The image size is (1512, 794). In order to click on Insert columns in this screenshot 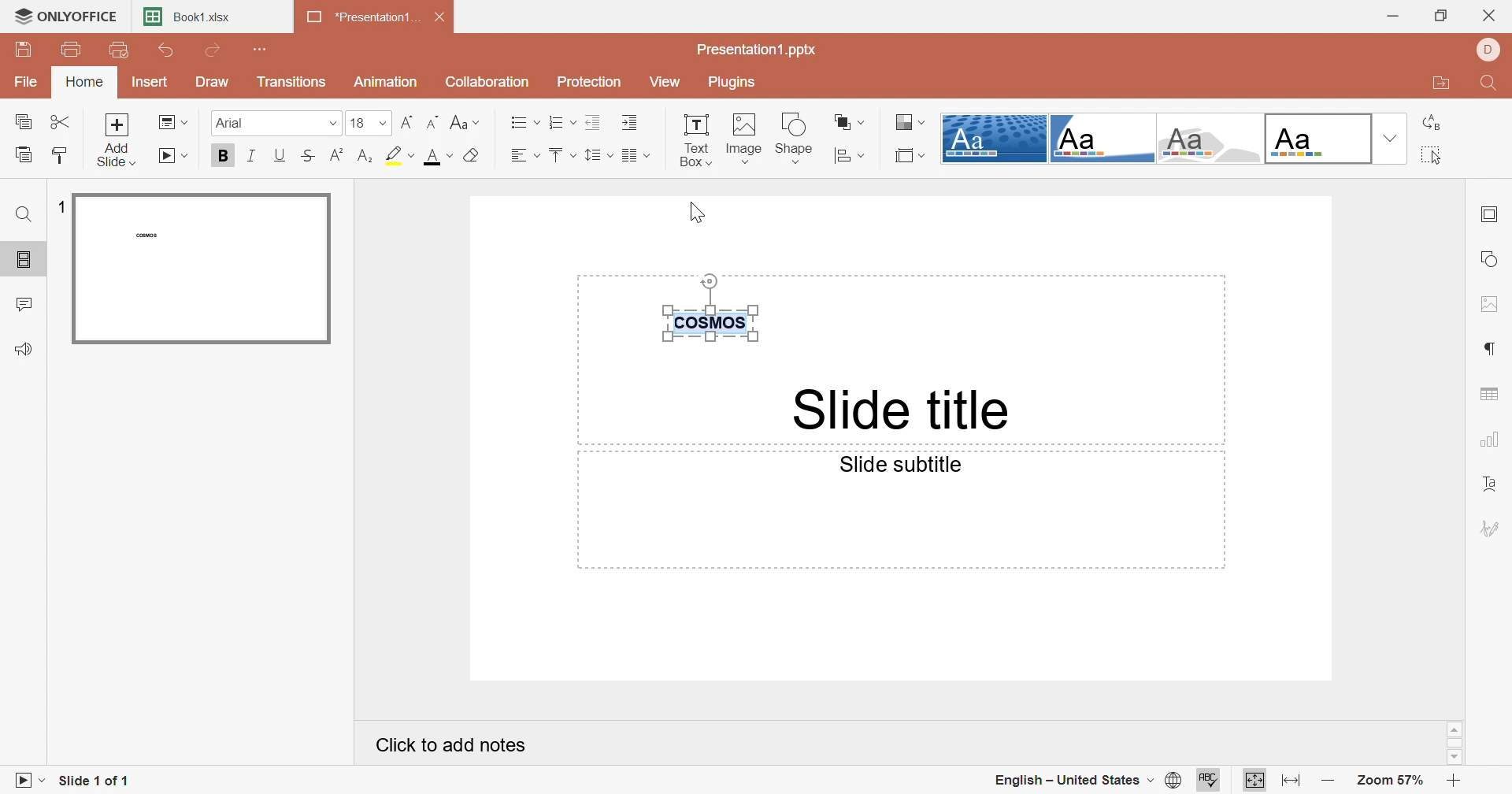, I will do `click(634, 154)`.